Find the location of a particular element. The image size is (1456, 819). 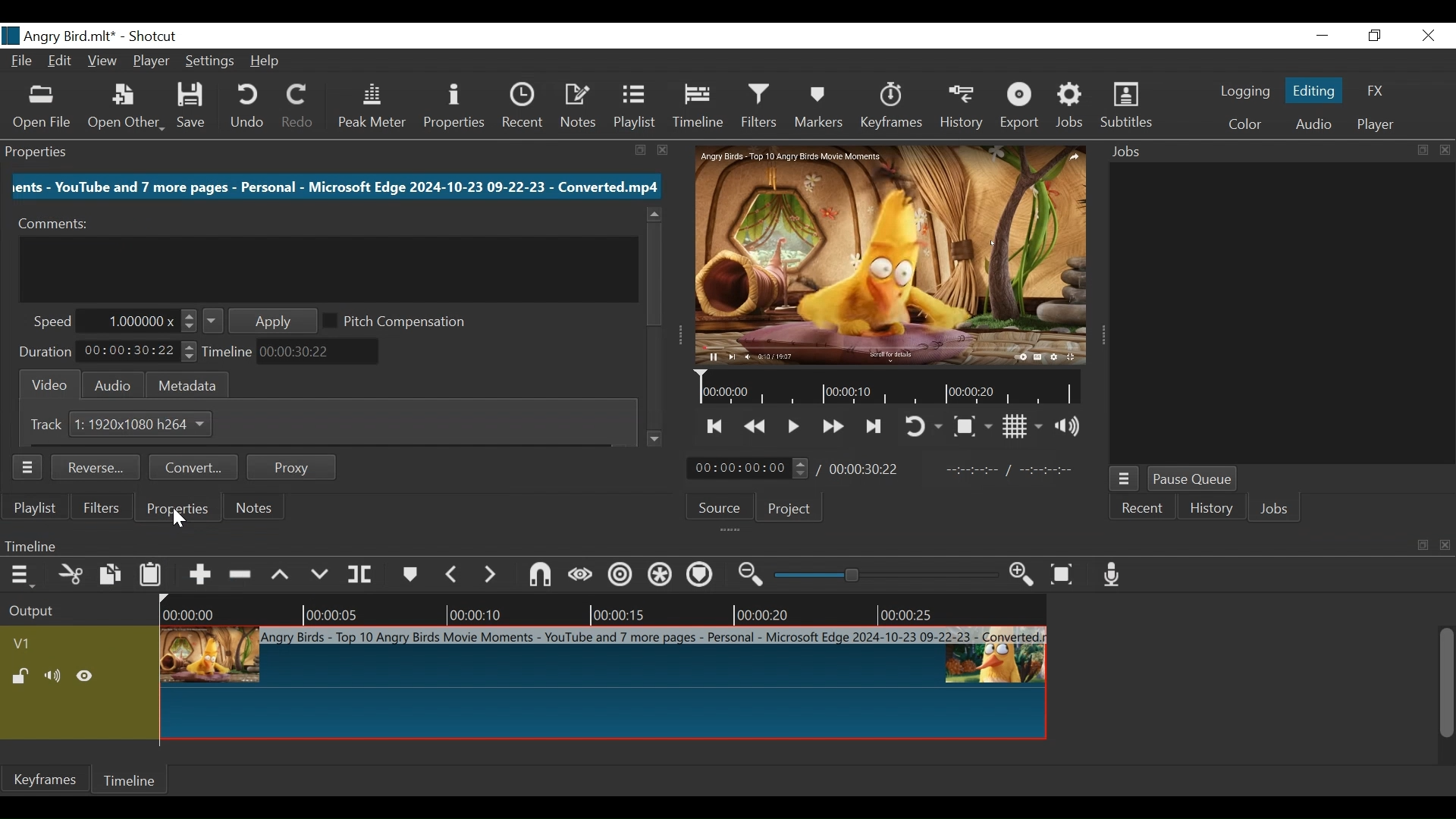

Duration is located at coordinates (47, 351).